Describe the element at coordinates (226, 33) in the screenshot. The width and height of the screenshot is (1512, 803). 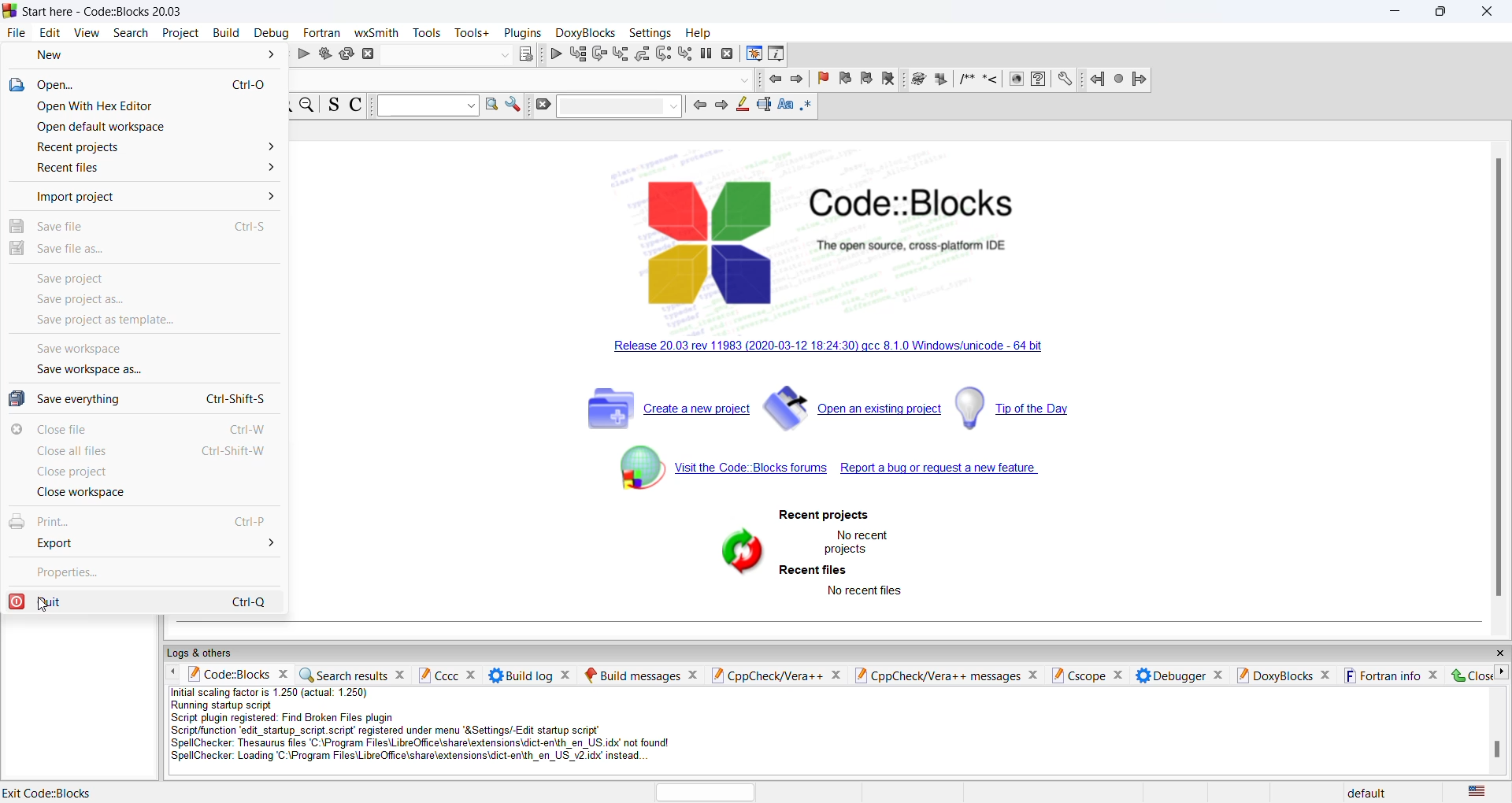
I see `build` at that location.